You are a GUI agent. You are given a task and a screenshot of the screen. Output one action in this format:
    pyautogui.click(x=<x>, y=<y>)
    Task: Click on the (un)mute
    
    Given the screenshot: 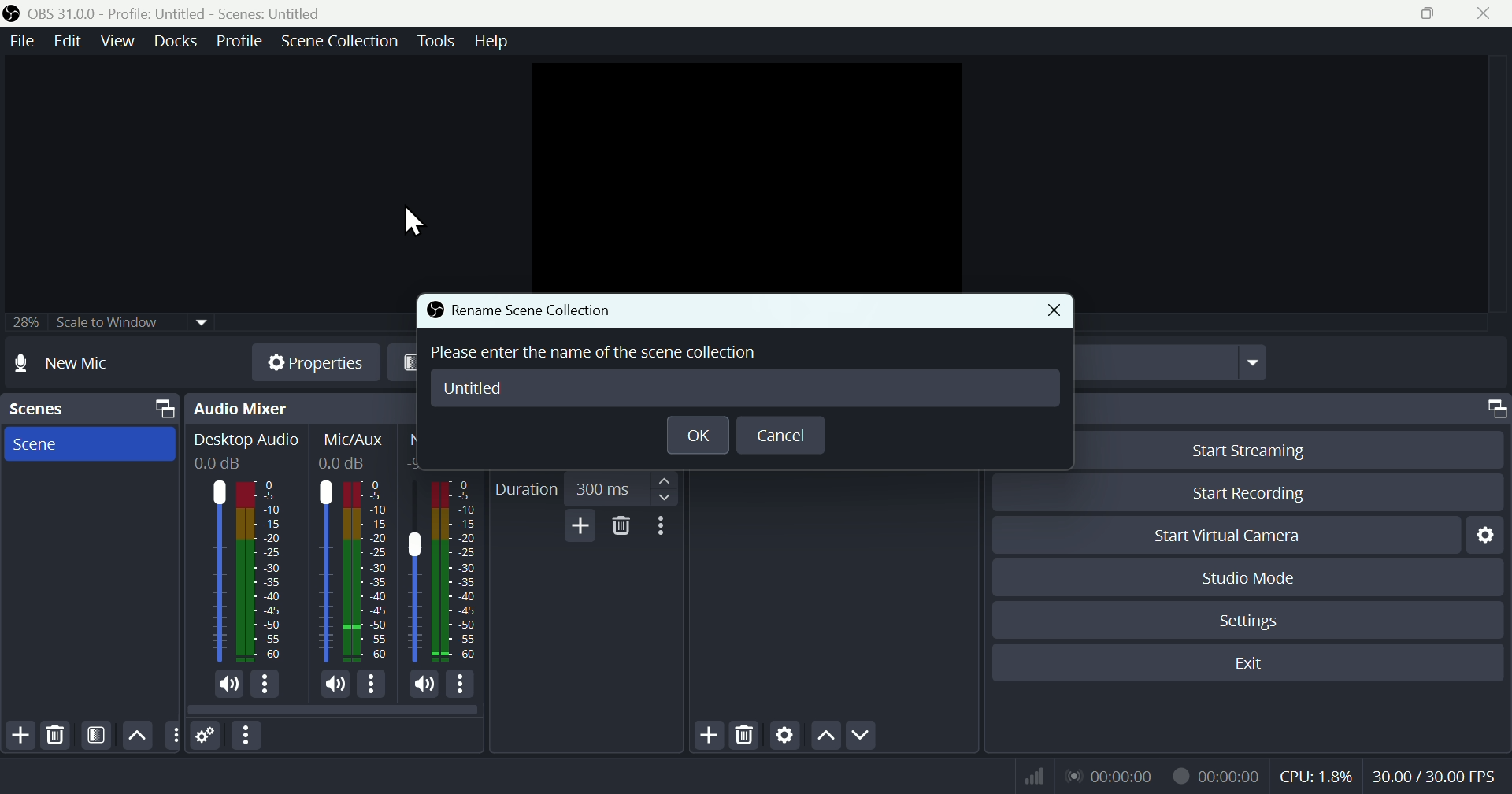 What is the action you would take?
    pyautogui.click(x=425, y=686)
    